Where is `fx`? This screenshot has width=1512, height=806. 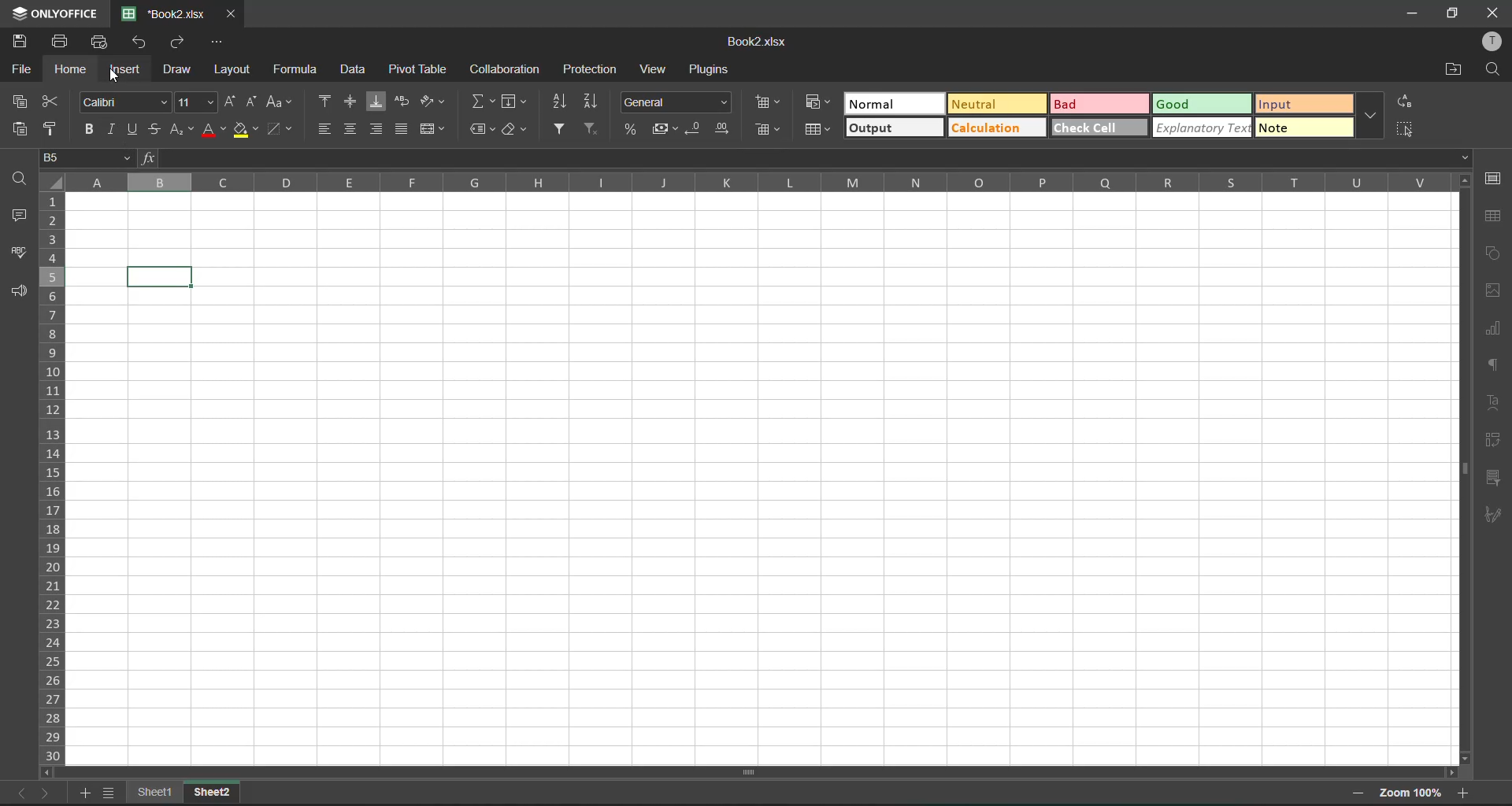 fx is located at coordinates (144, 158).